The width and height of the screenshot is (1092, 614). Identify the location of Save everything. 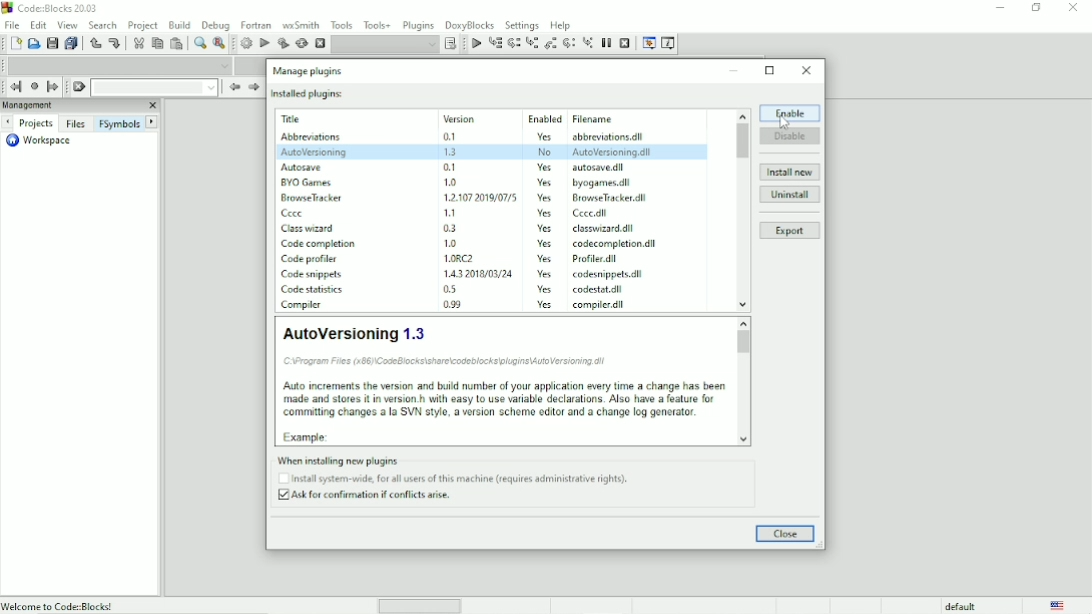
(73, 43).